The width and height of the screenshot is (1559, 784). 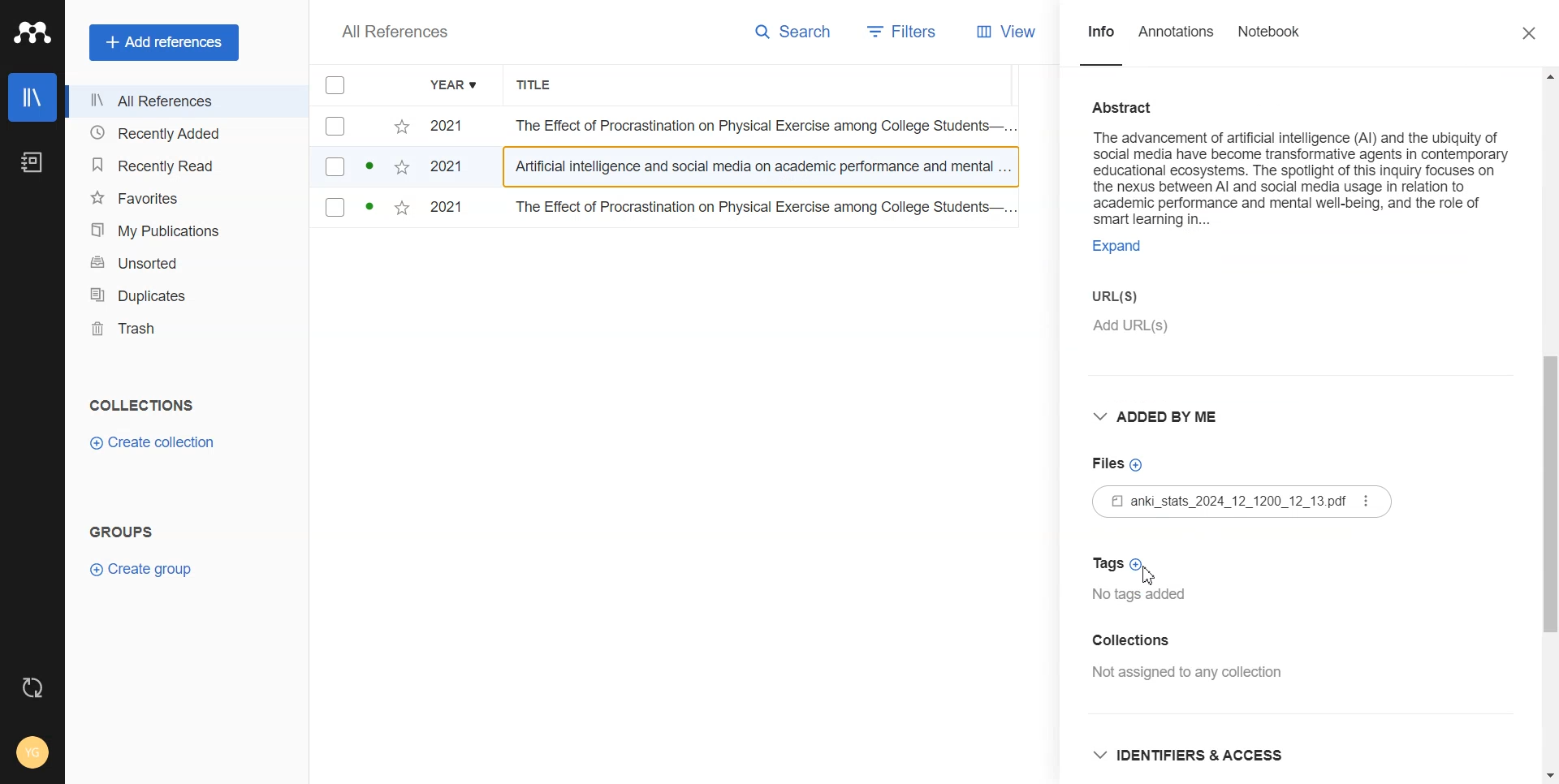 What do you see at coordinates (1301, 157) in the screenshot?
I see `Abstract on the advancement of artificial intelligence (AI) and the ubiquity of social media have become transformative agents in contemporary educational ecosystems.` at bounding box center [1301, 157].